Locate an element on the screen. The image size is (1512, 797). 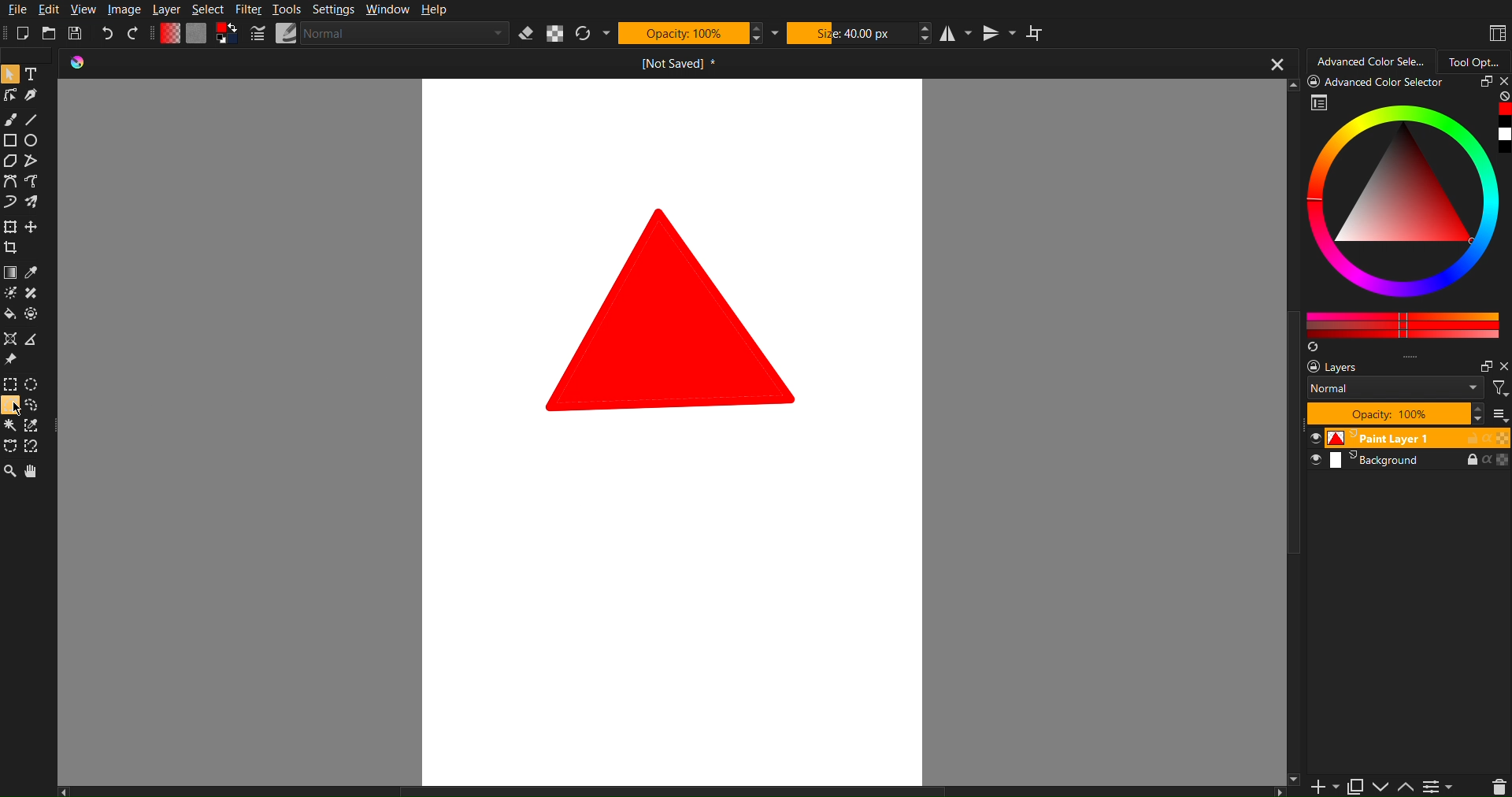
selection free shape is located at coordinates (9, 445).